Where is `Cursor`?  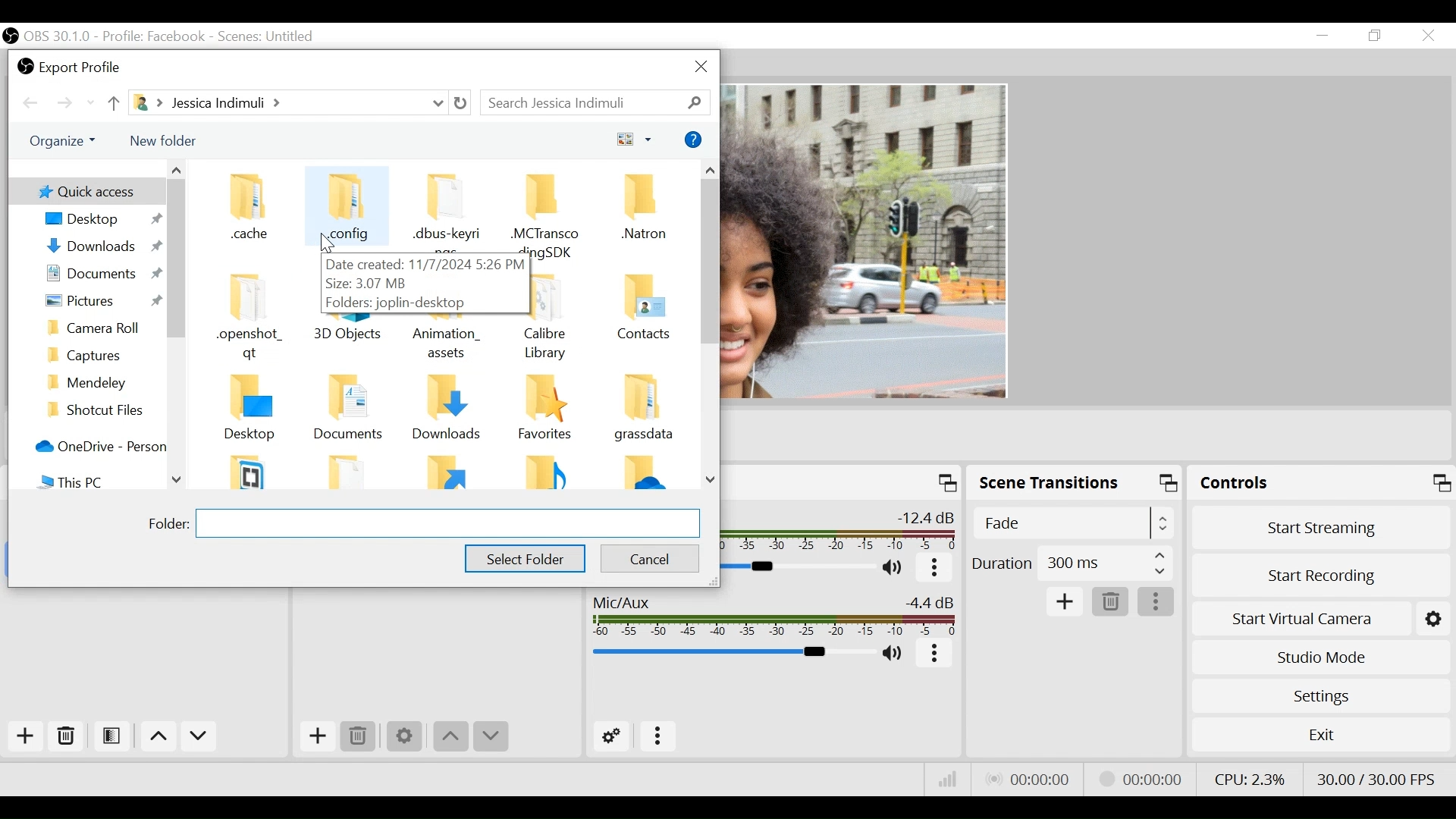 Cursor is located at coordinates (329, 243).